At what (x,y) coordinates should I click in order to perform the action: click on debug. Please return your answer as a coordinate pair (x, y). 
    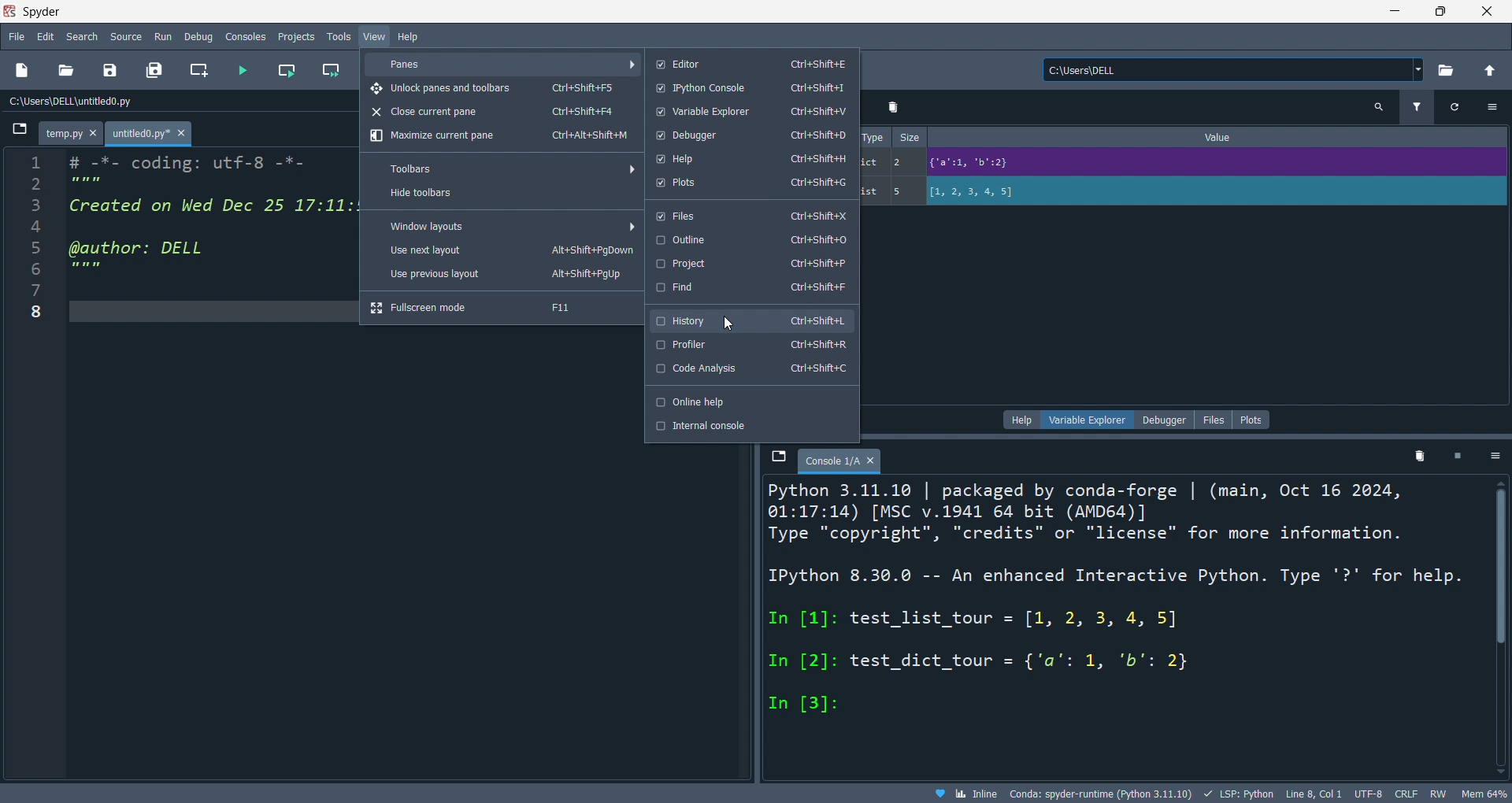
    Looking at the image, I should click on (201, 36).